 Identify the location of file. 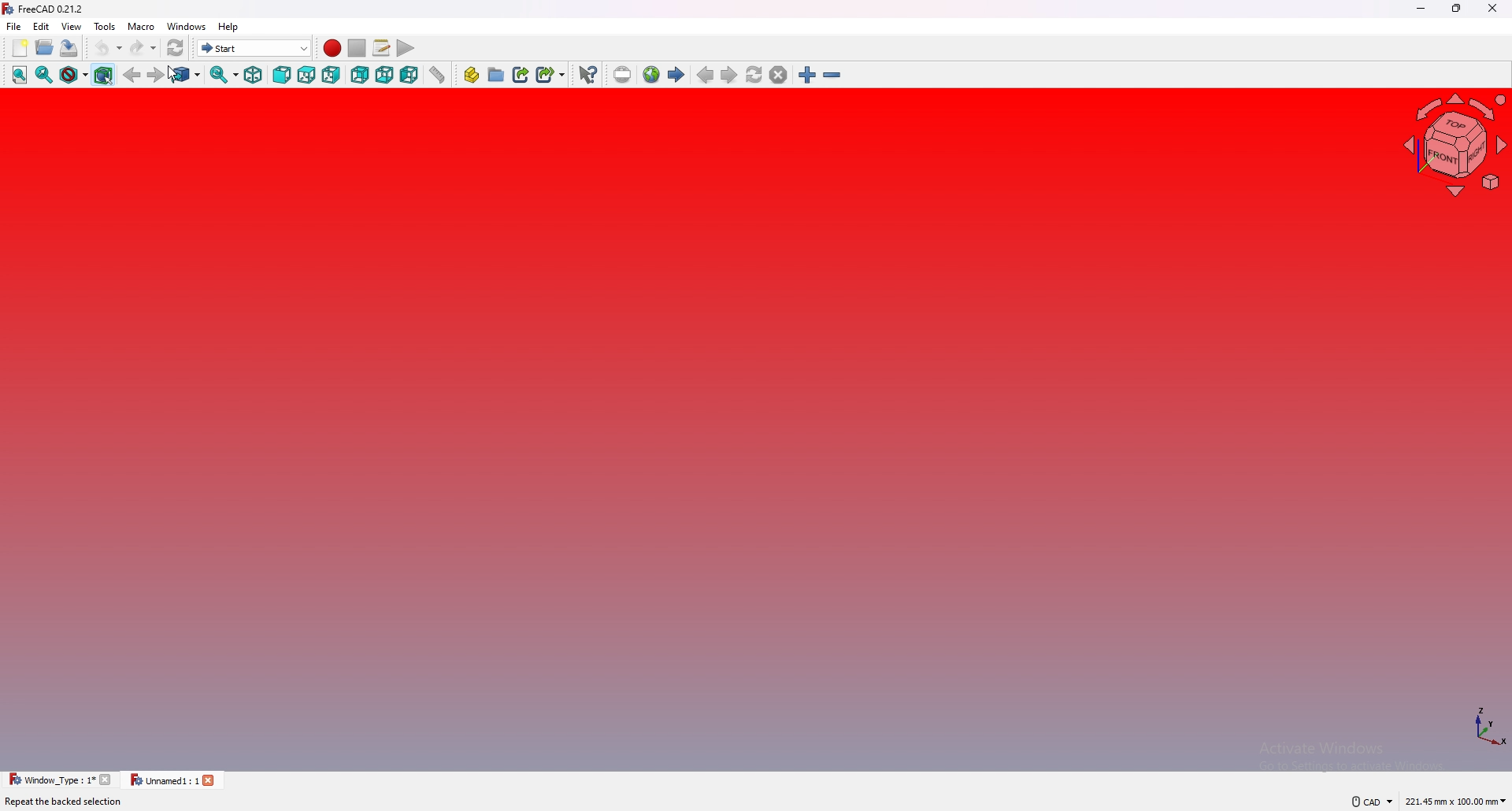
(13, 26).